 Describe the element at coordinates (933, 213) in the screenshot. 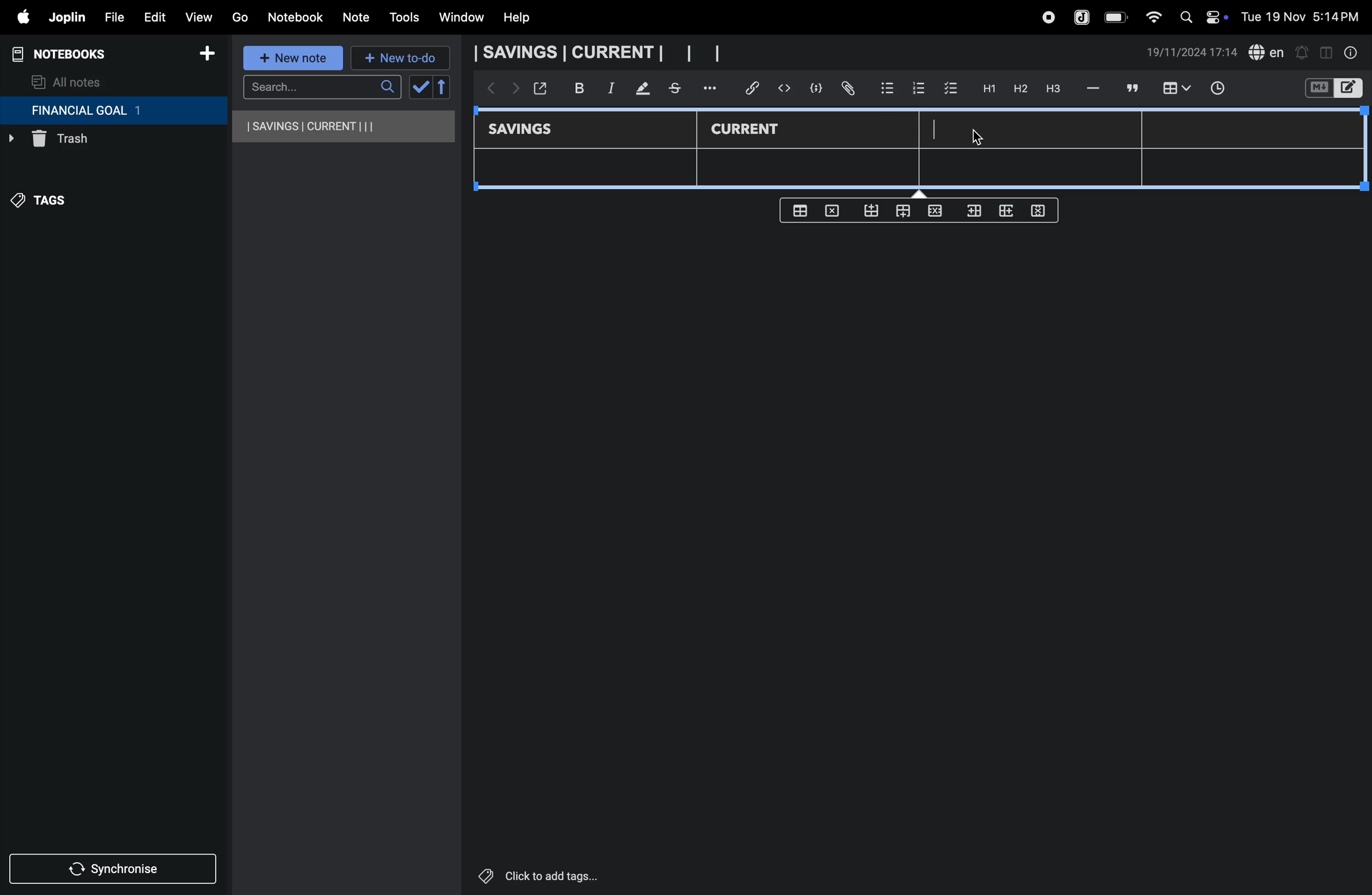

I see `close rows` at that location.